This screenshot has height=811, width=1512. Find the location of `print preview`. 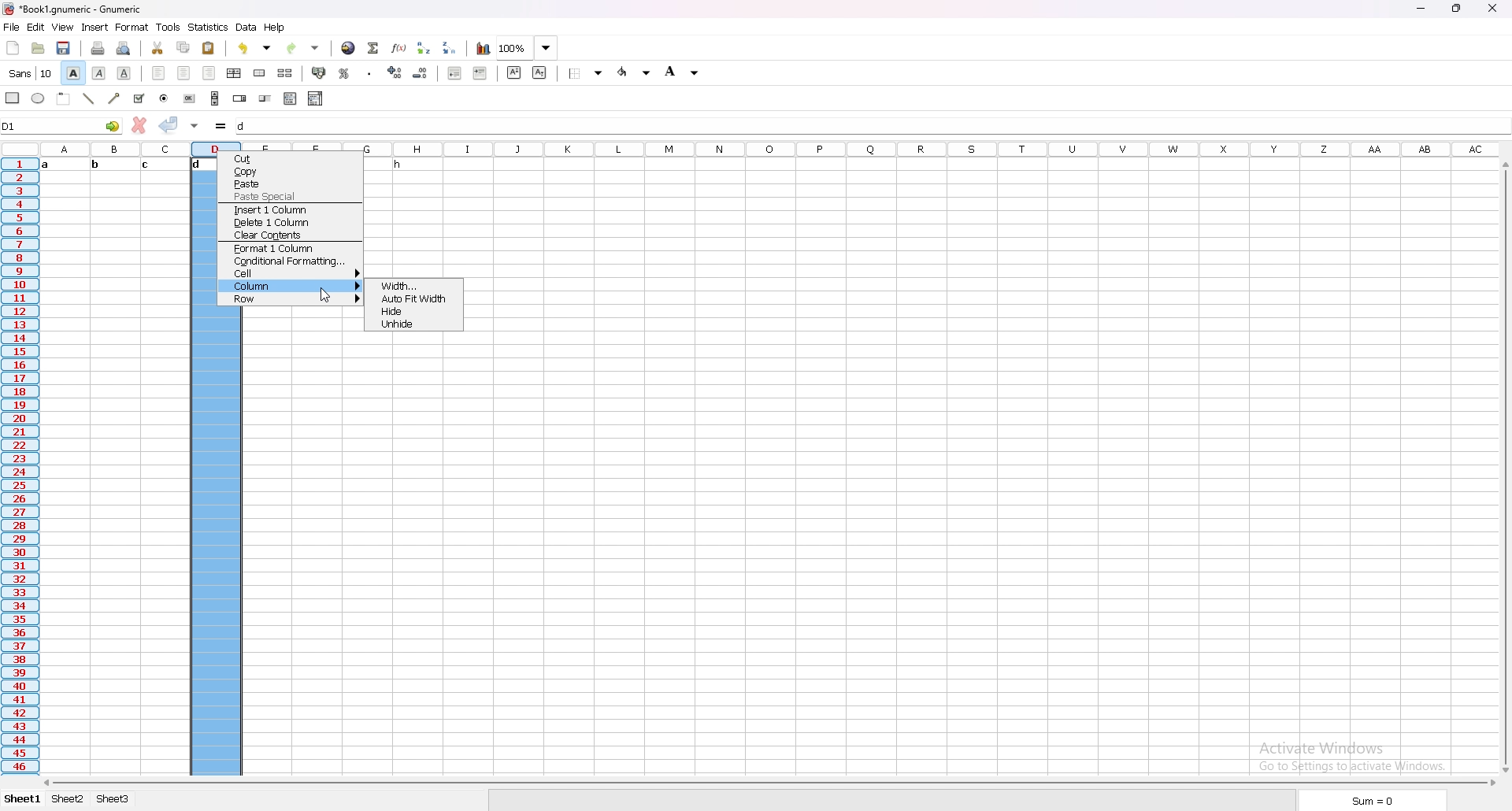

print preview is located at coordinates (124, 48).